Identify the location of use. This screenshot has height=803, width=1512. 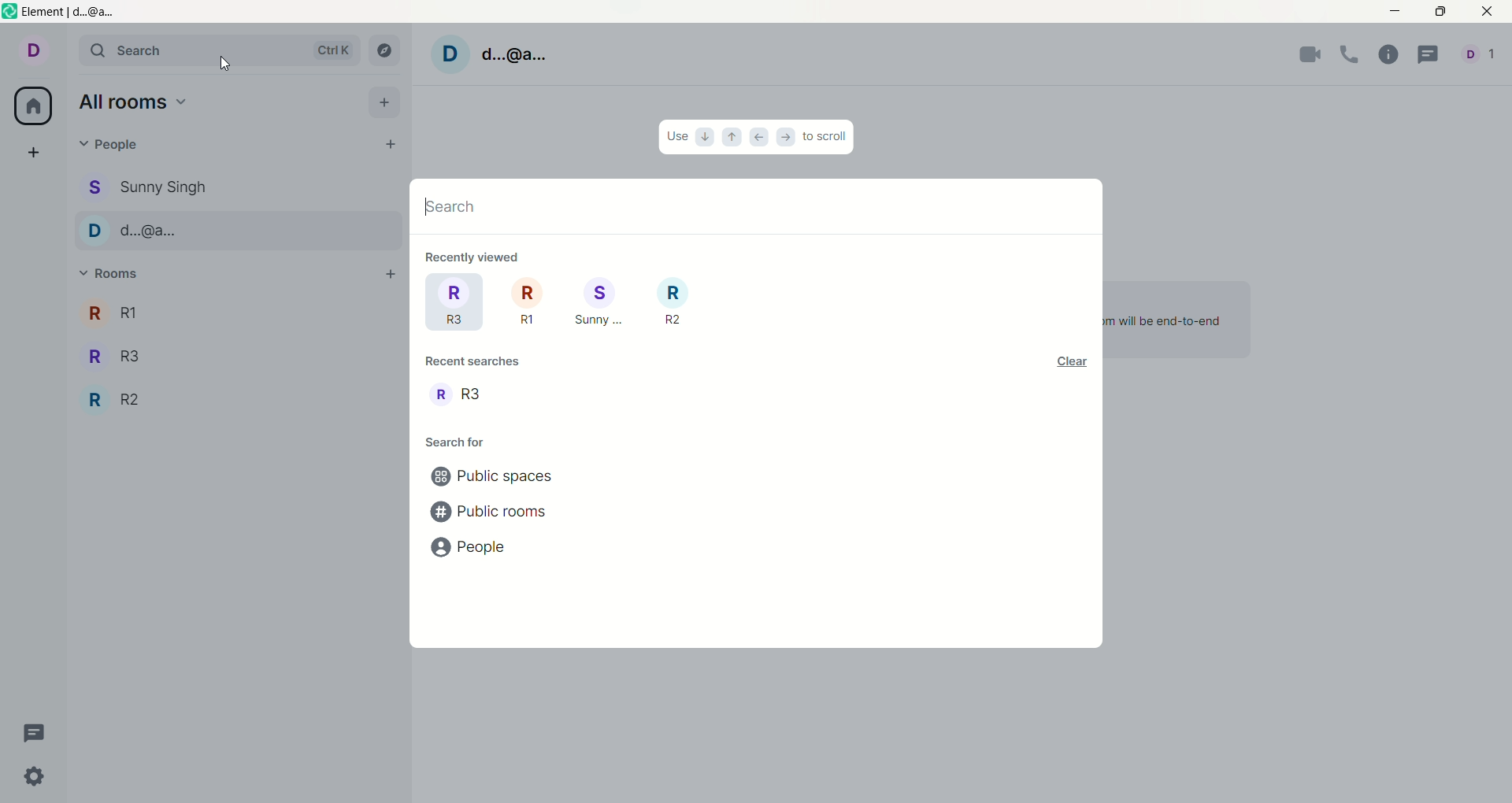
(677, 137).